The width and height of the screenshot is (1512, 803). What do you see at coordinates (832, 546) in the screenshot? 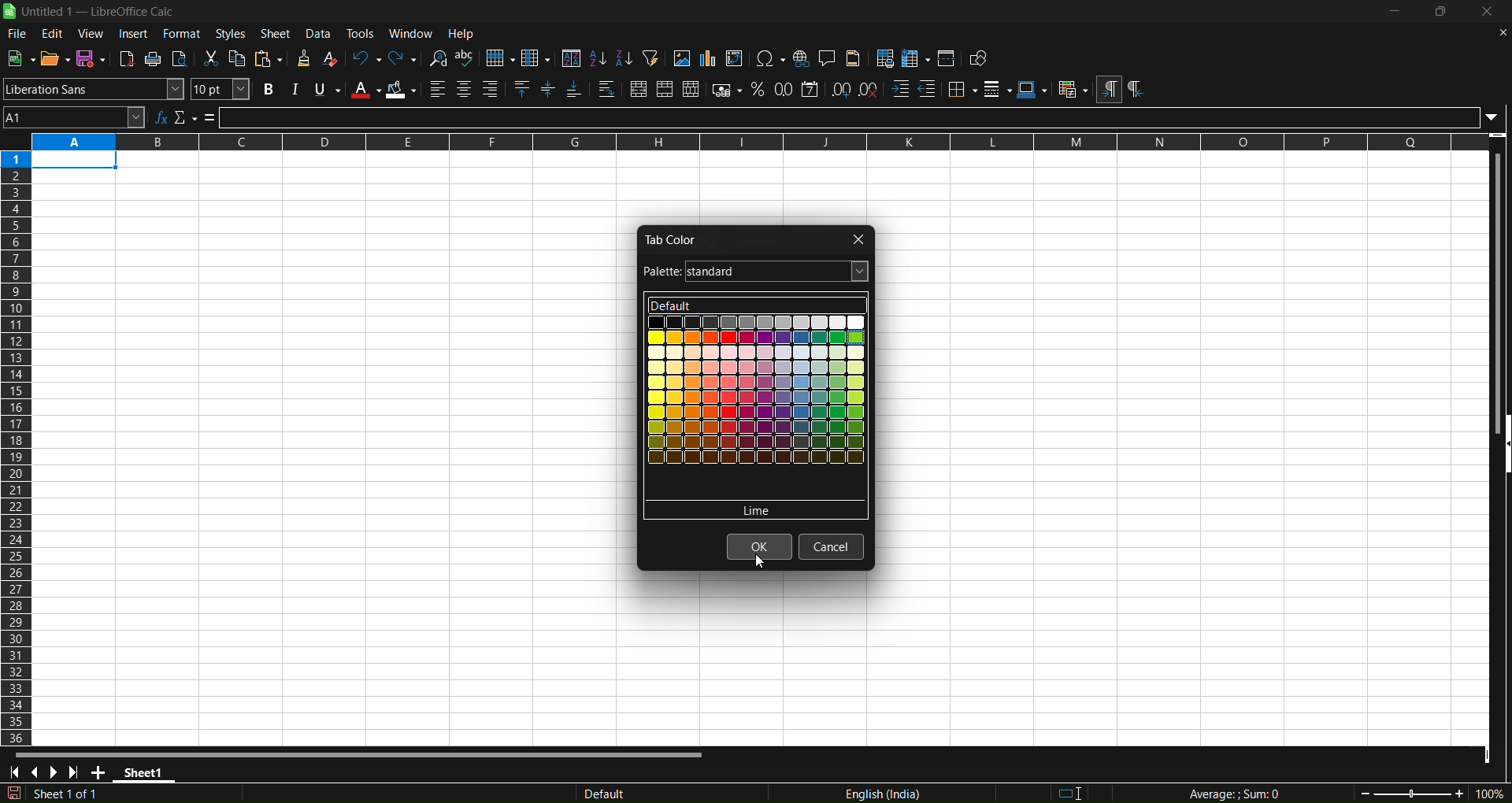
I see `cancel` at bounding box center [832, 546].